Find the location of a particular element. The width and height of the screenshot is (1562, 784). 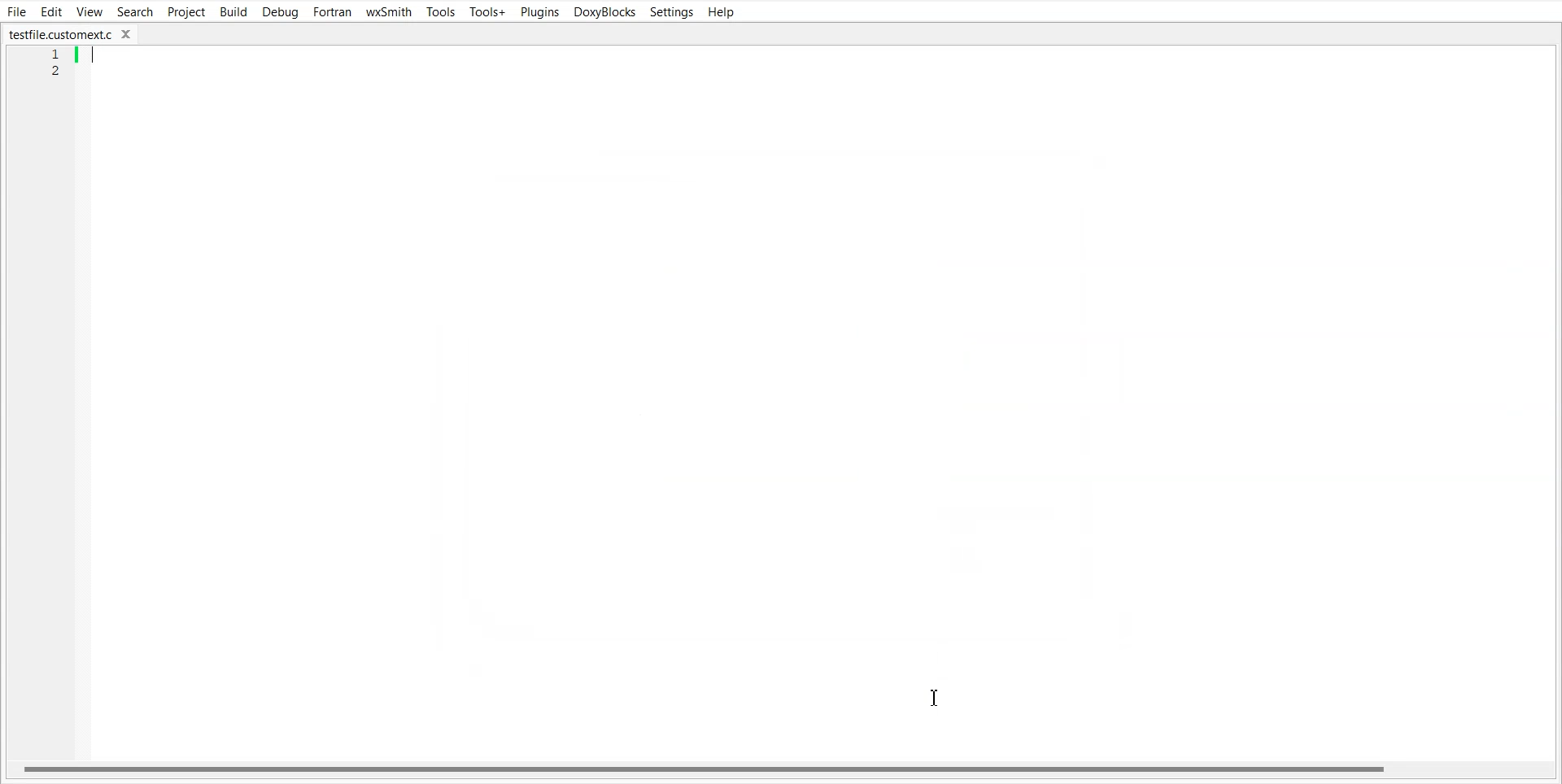

Text Cursor is located at coordinates (938, 699).